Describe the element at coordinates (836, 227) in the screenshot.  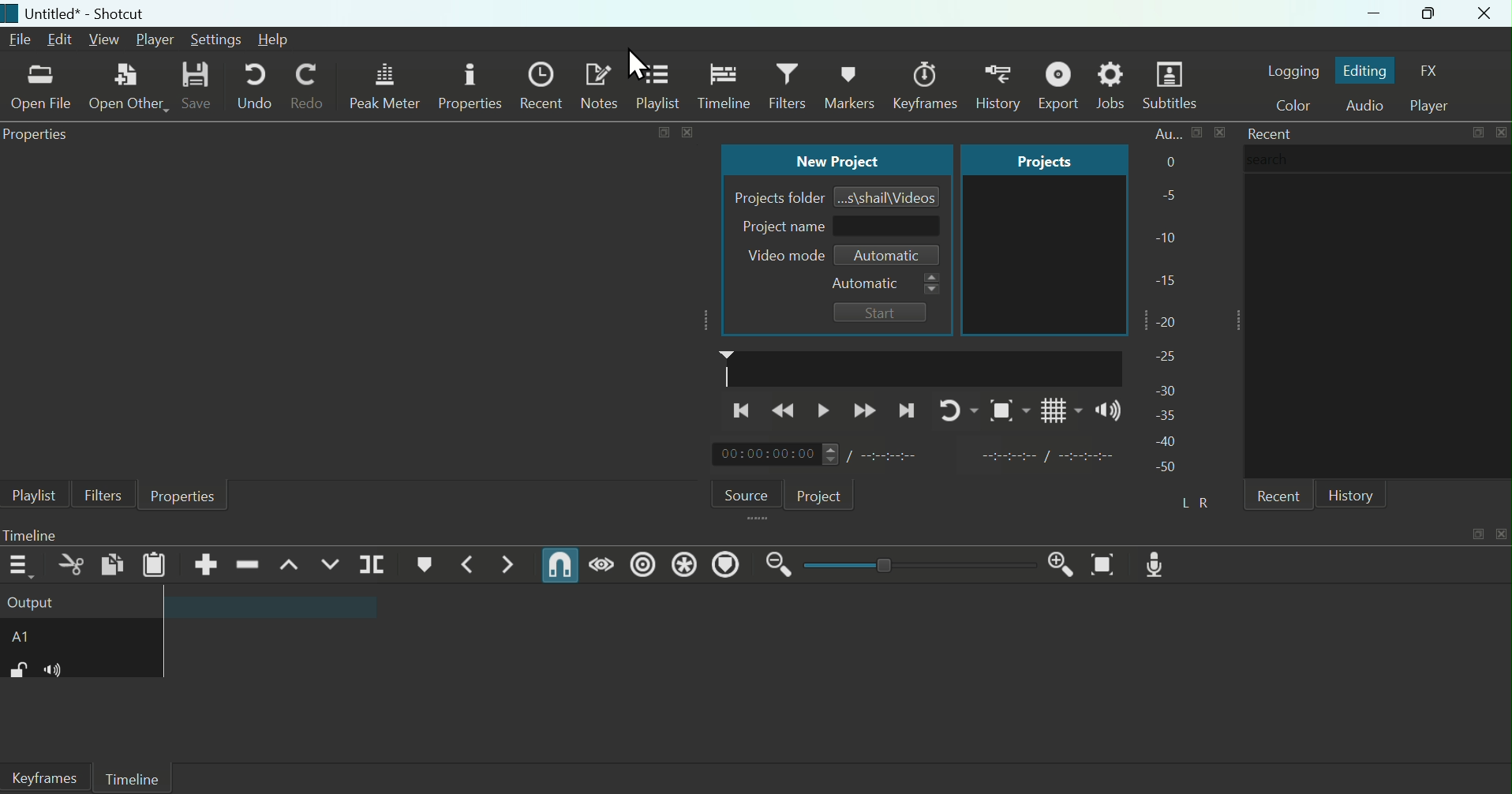
I see `Project name` at that location.